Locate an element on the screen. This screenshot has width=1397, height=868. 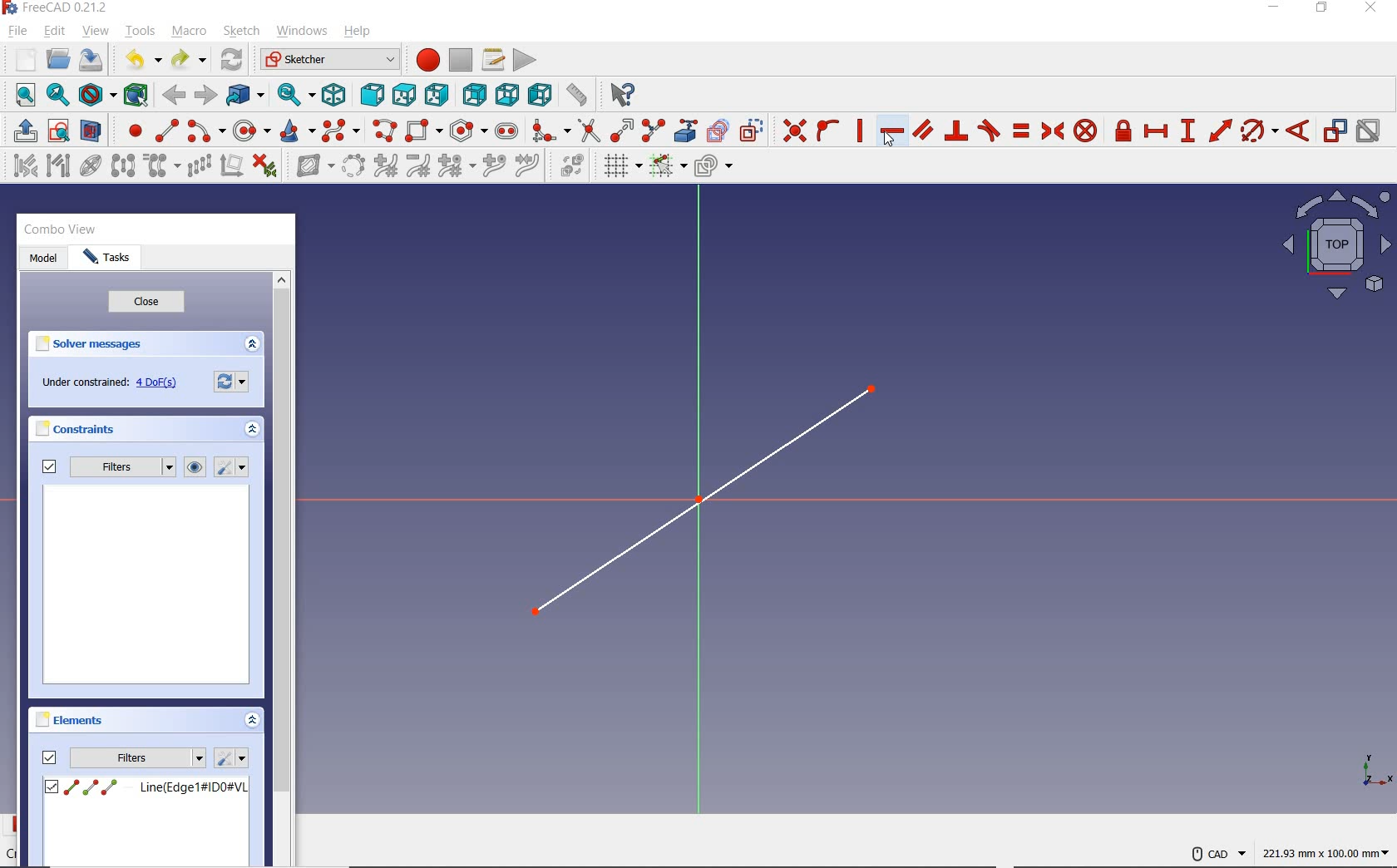
sketch view is located at coordinates (1334, 246).